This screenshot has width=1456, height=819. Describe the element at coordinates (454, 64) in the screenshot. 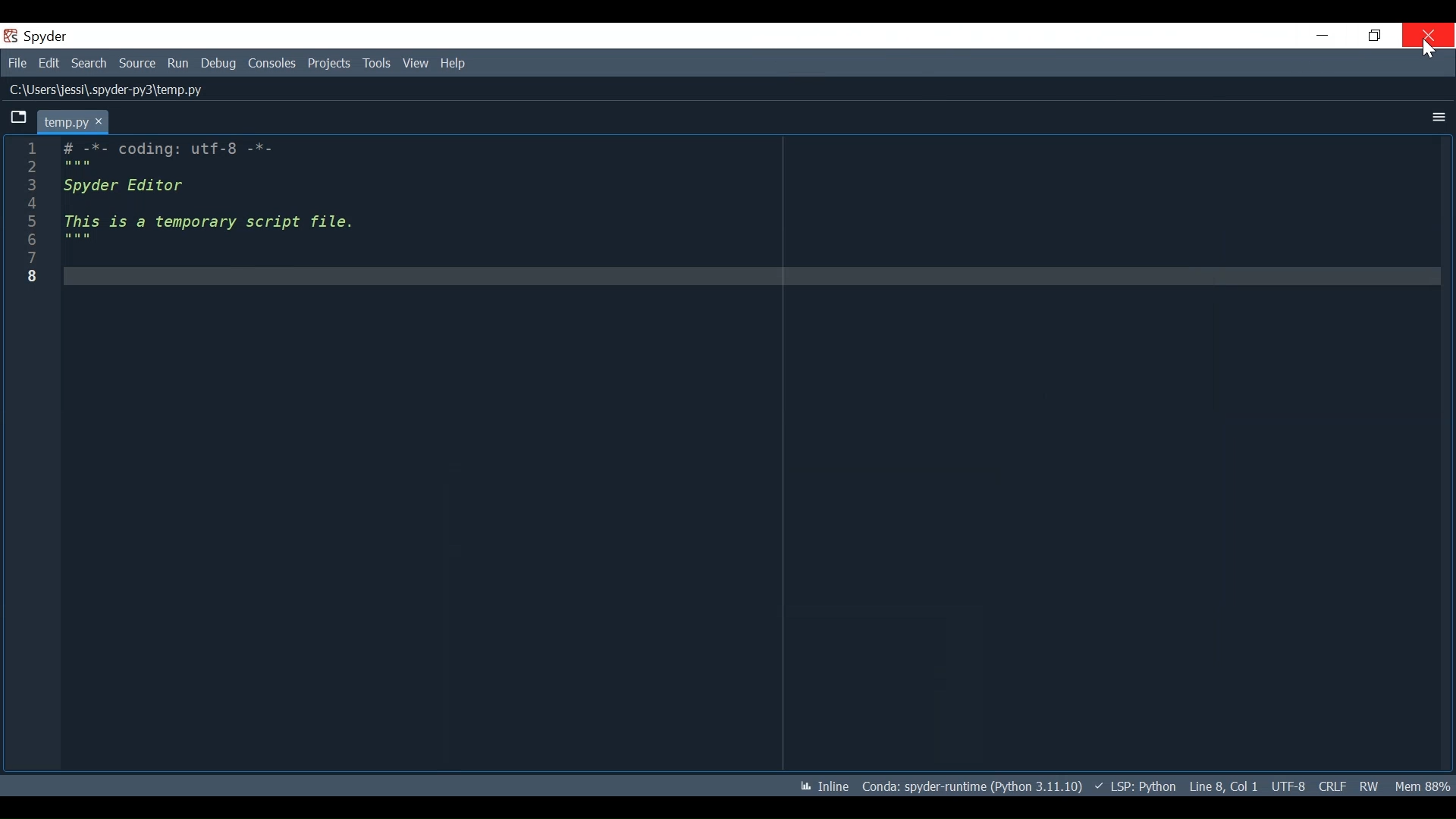

I see `Help` at that location.